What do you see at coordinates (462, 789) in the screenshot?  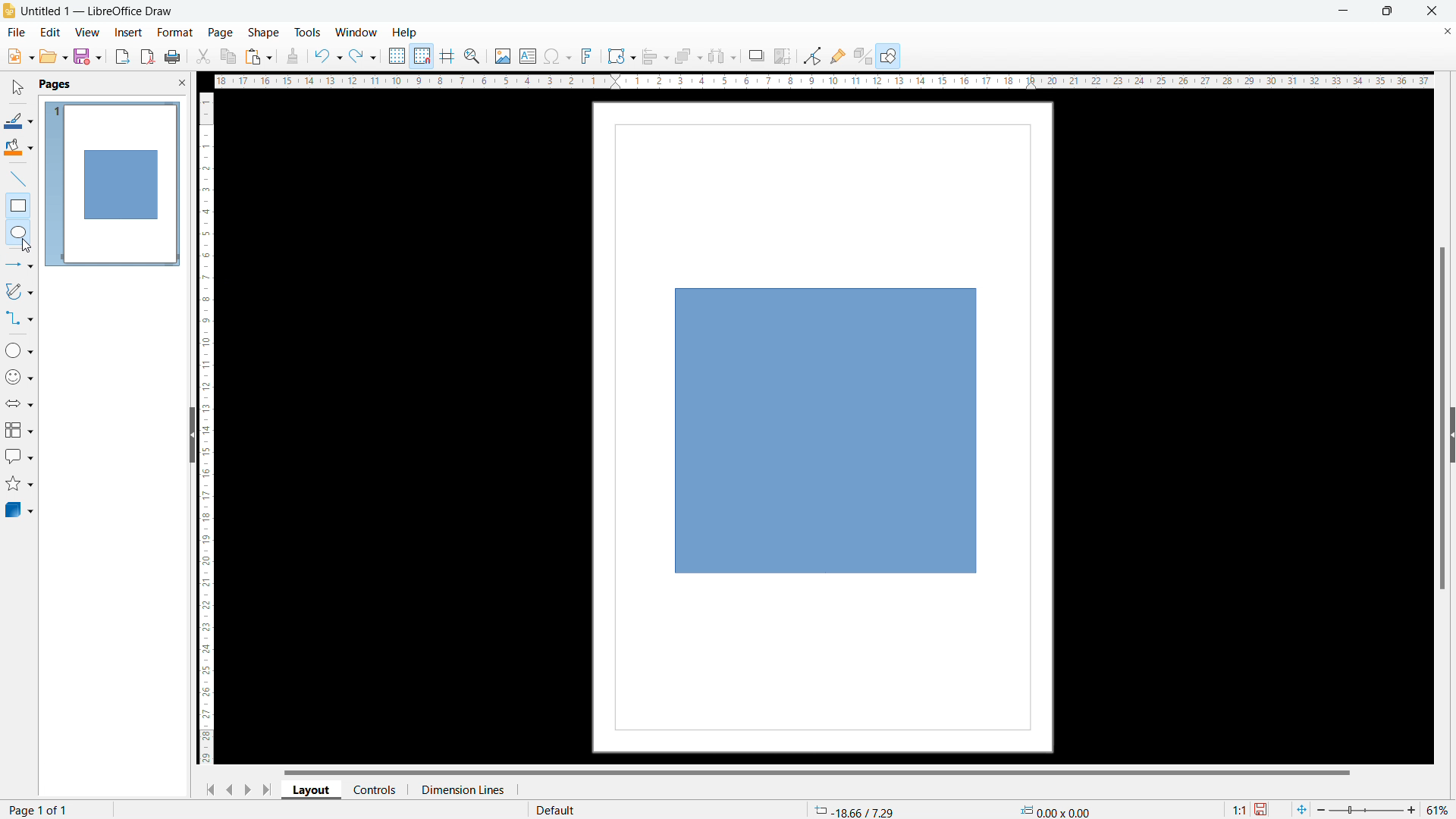 I see `dimension lines` at bounding box center [462, 789].